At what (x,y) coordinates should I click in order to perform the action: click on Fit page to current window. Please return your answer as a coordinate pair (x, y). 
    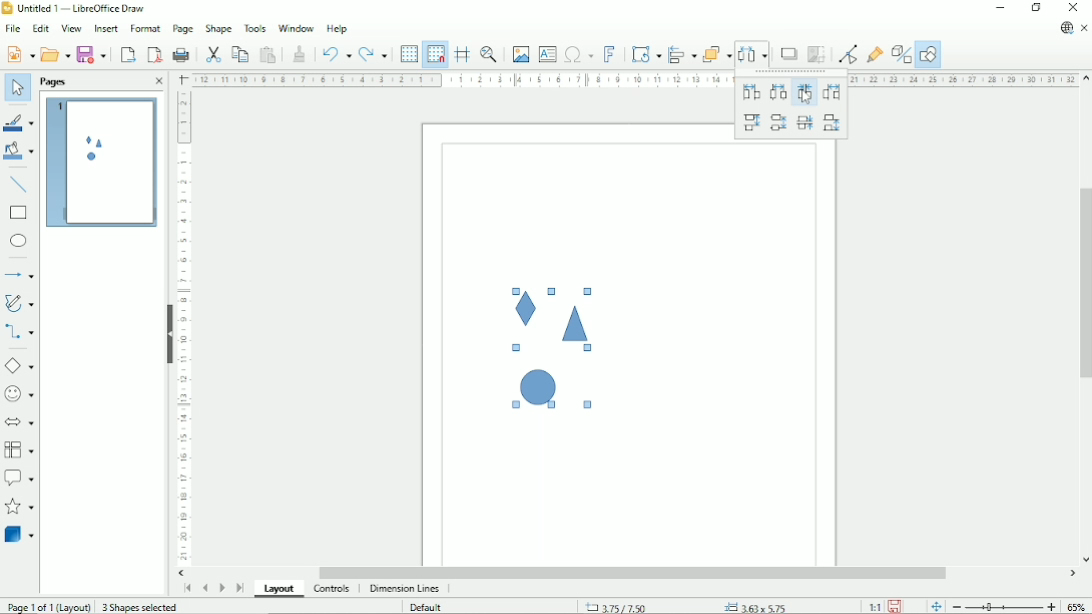
    Looking at the image, I should click on (934, 606).